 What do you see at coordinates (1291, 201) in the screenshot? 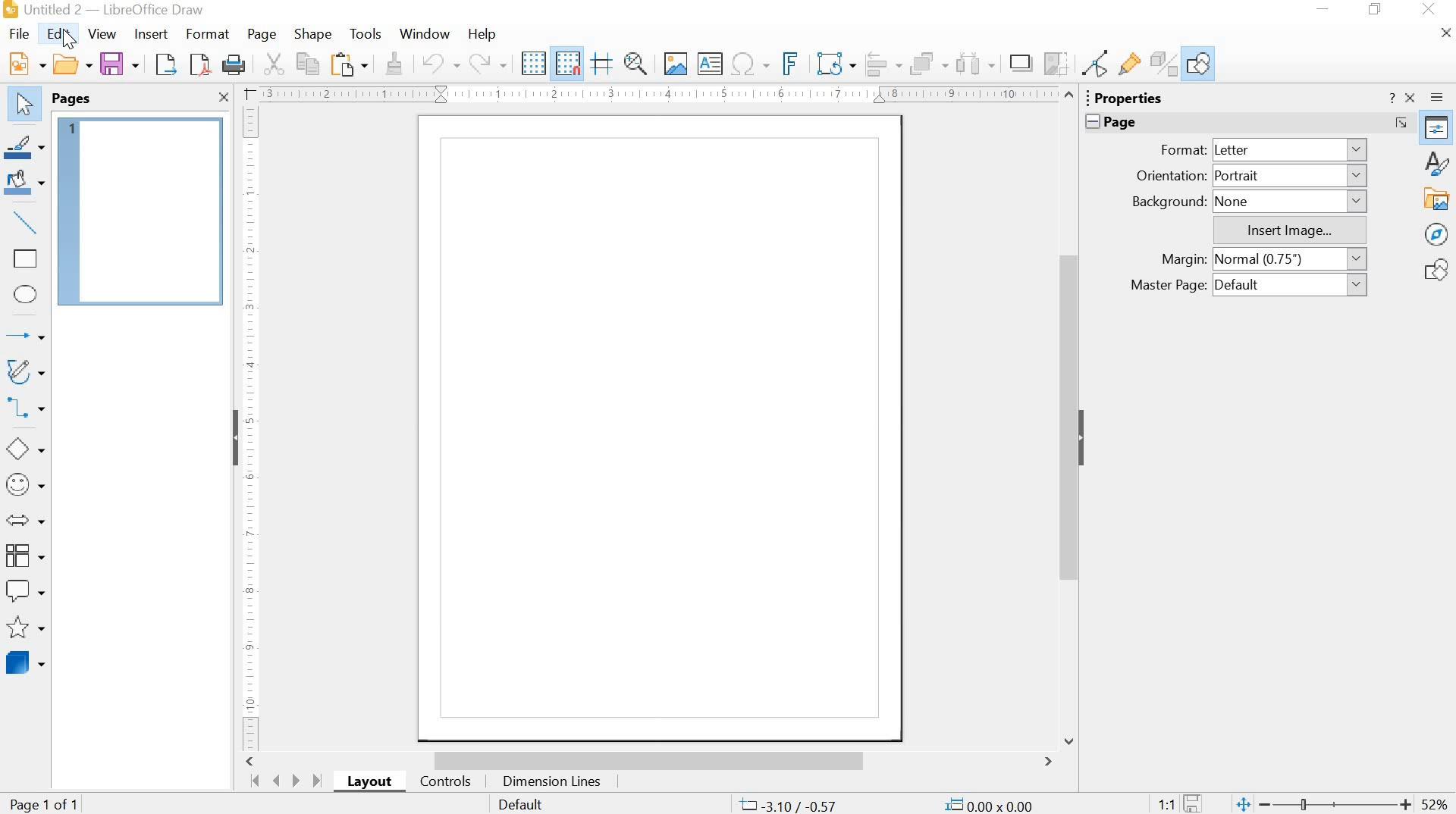
I see `None` at bounding box center [1291, 201].